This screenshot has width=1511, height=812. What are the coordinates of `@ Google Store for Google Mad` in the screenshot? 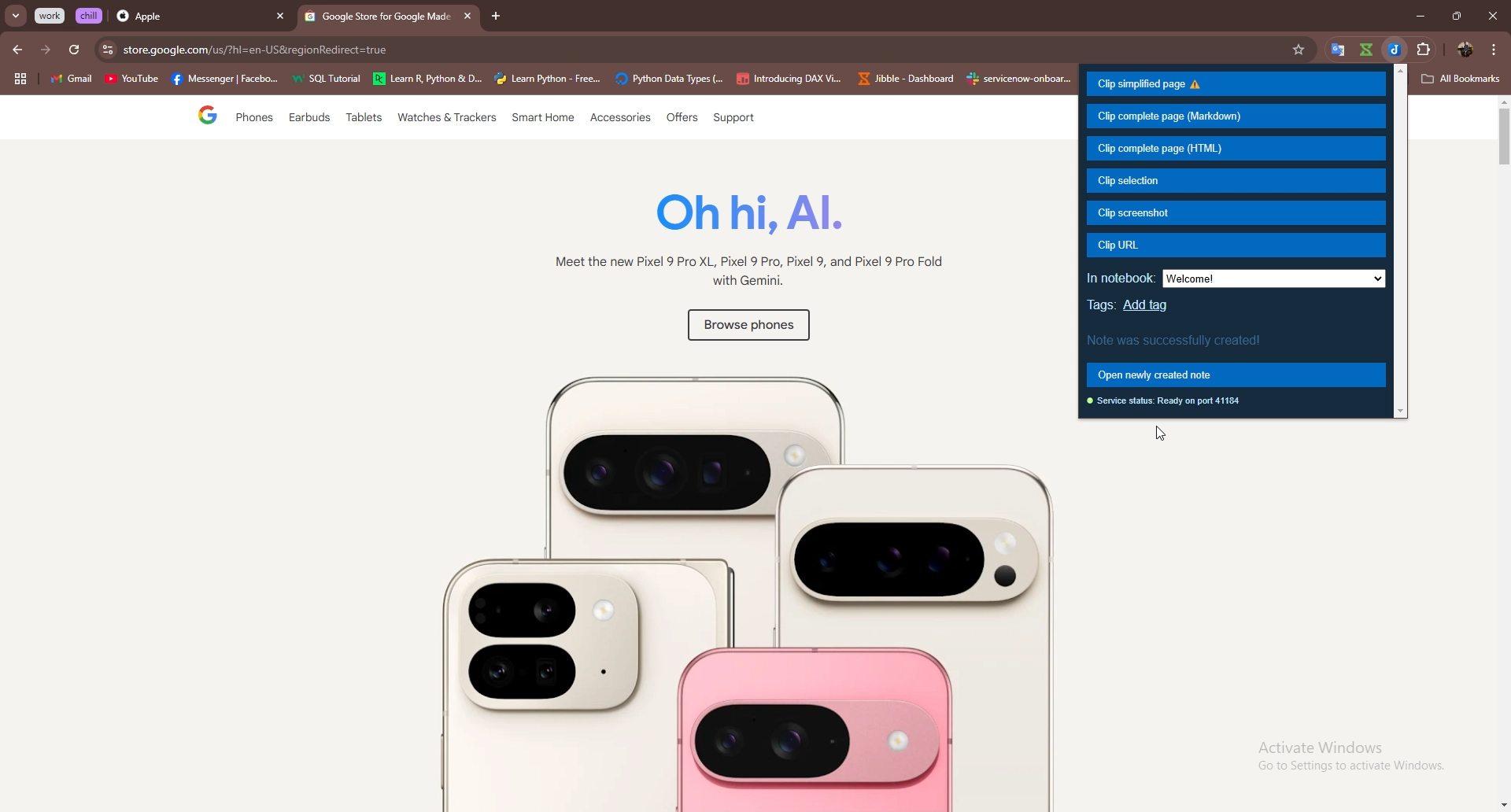 It's located at (378, 20).